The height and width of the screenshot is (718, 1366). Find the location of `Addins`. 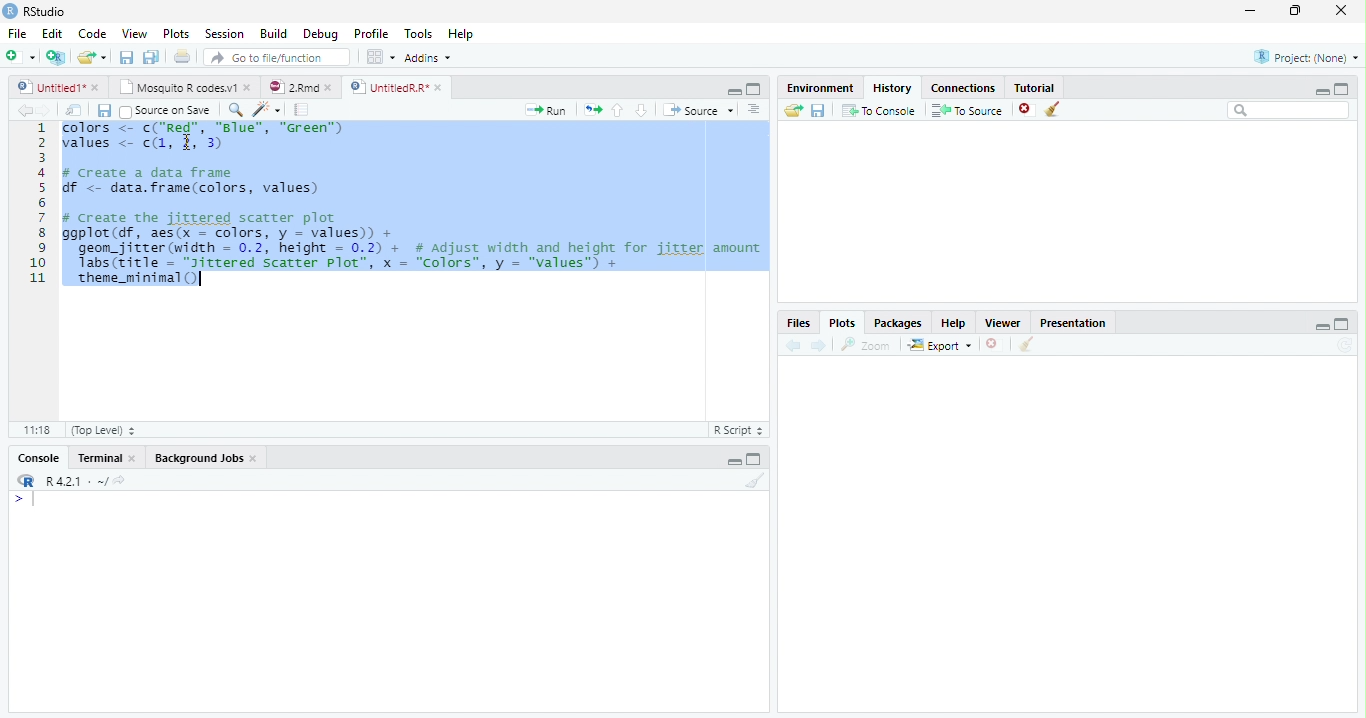

Addins is located at coordinates (428, 58).